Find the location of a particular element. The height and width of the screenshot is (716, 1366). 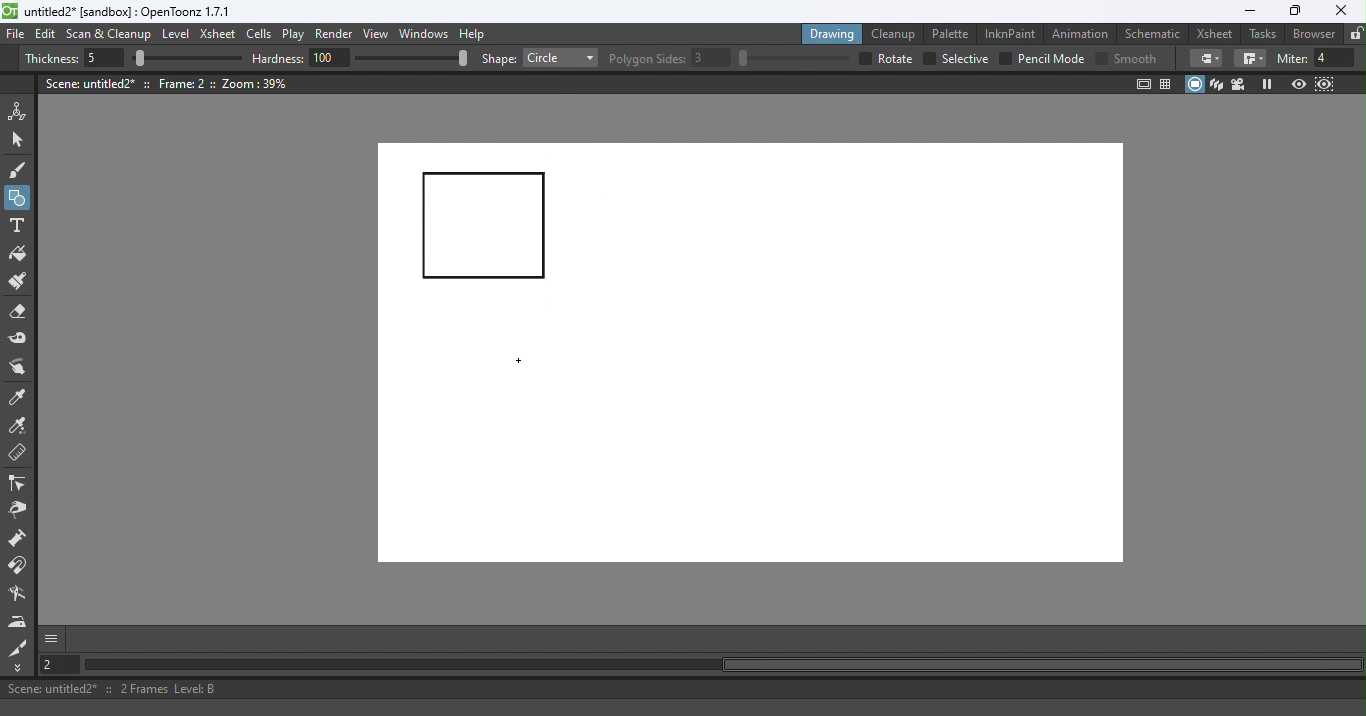

More Tools is located at coordinates (19, 668).